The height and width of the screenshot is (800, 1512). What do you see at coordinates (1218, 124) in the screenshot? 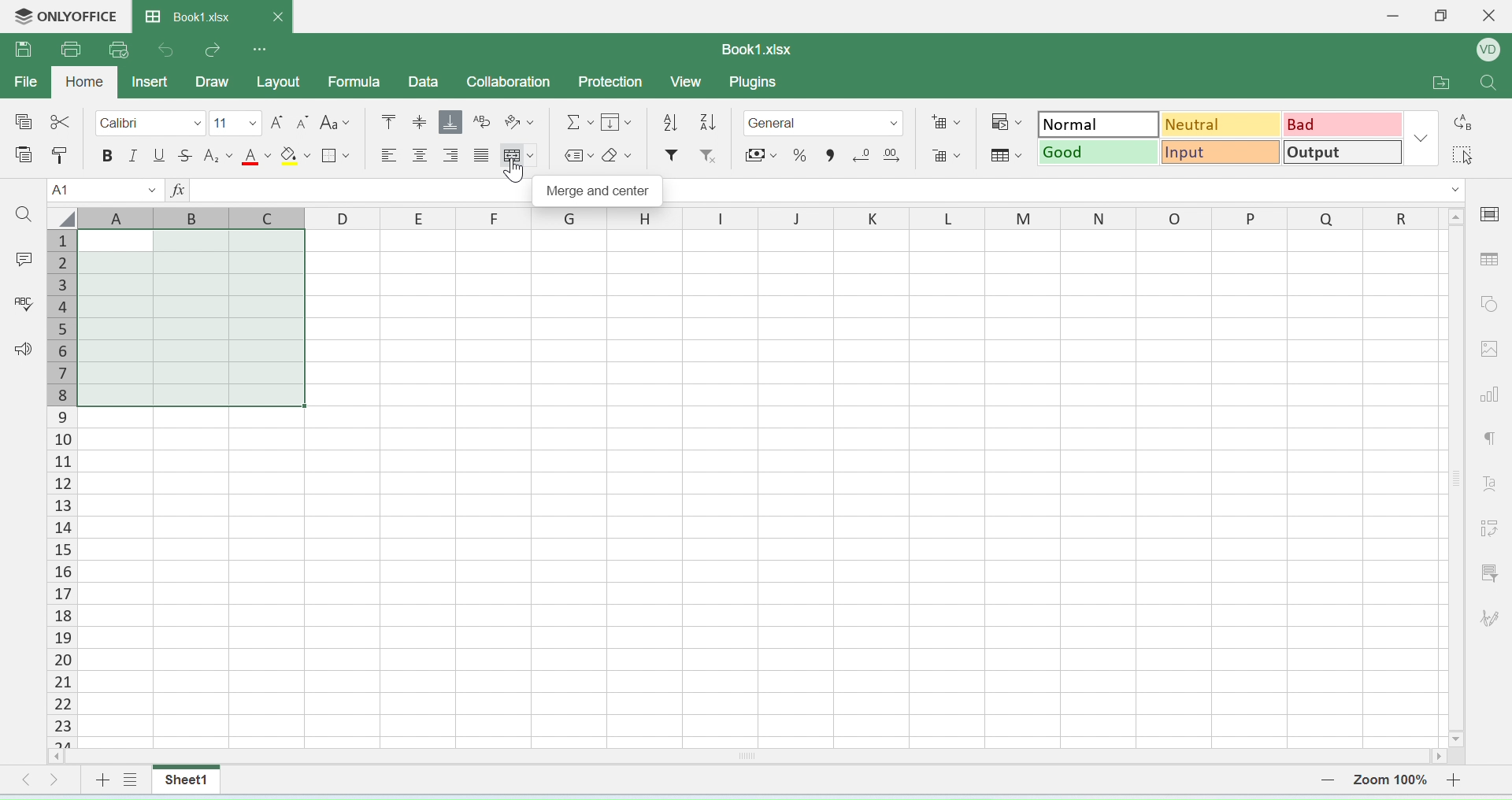
I see `neutral` at bounding box center [1218, 124].